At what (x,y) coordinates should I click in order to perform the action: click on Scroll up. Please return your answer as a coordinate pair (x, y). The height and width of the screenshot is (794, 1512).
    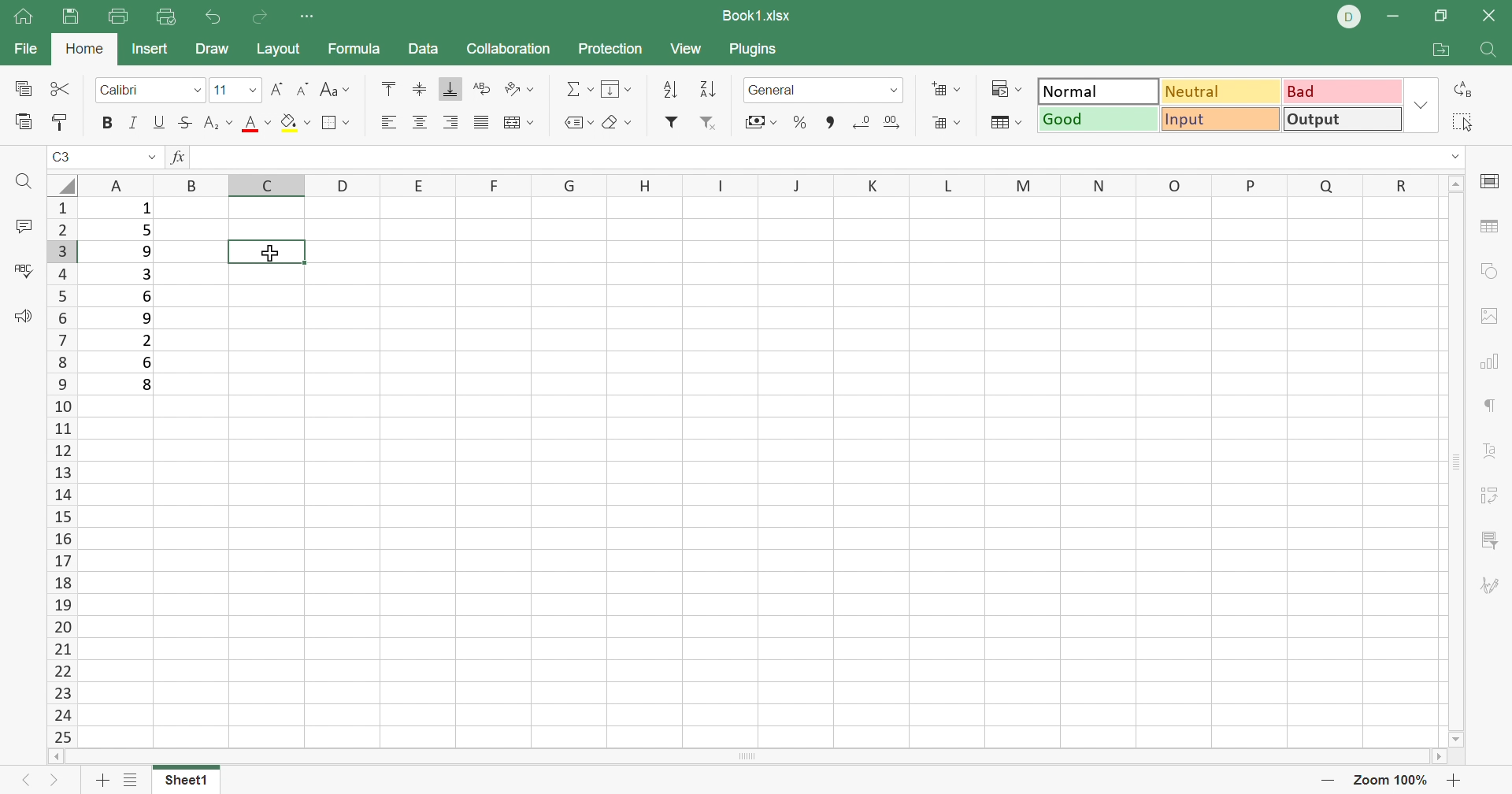
    Looking at the image, I should click on (1458, 182).